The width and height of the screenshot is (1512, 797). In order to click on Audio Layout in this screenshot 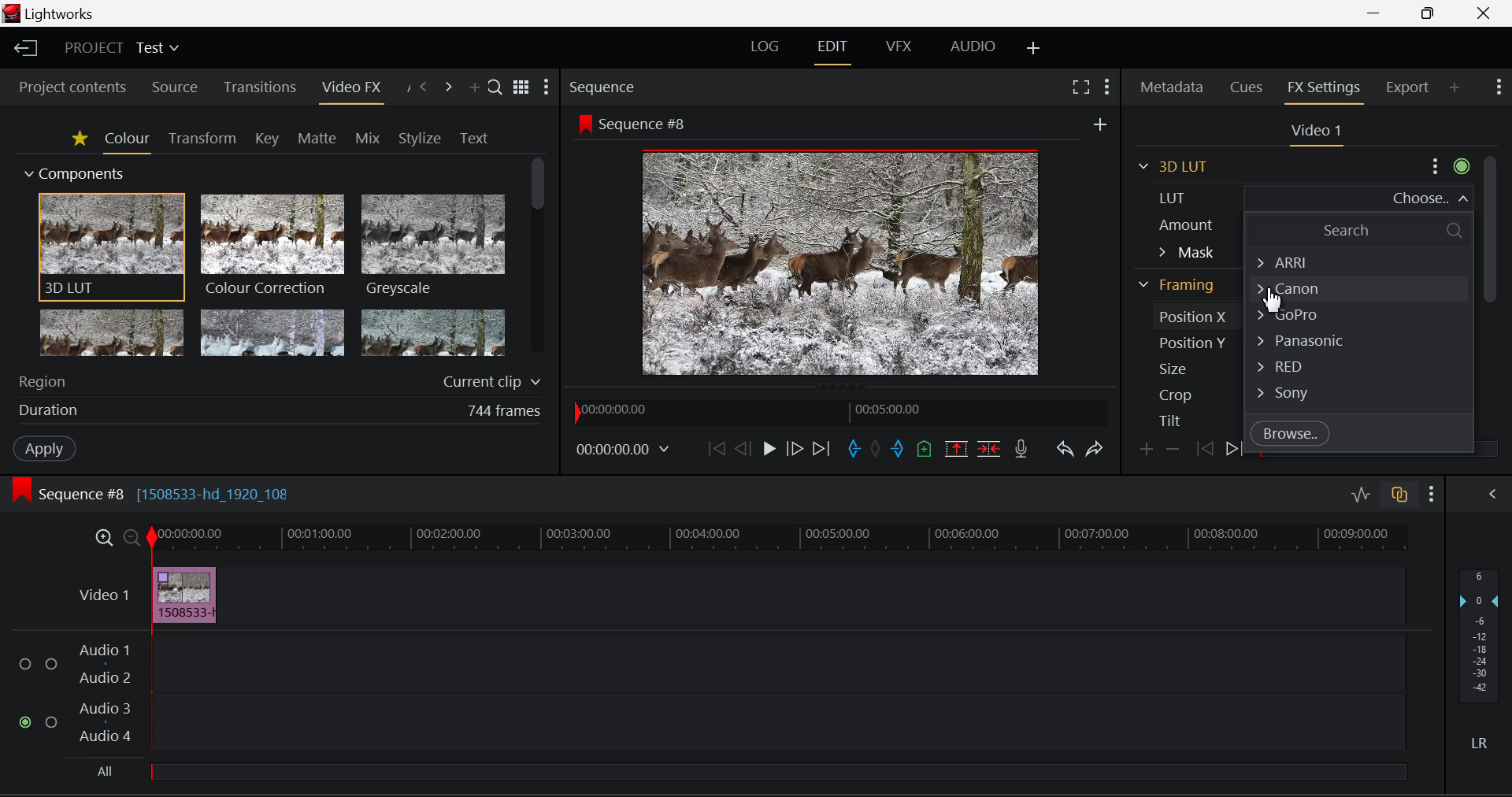, I will do `click(970, 47)`.